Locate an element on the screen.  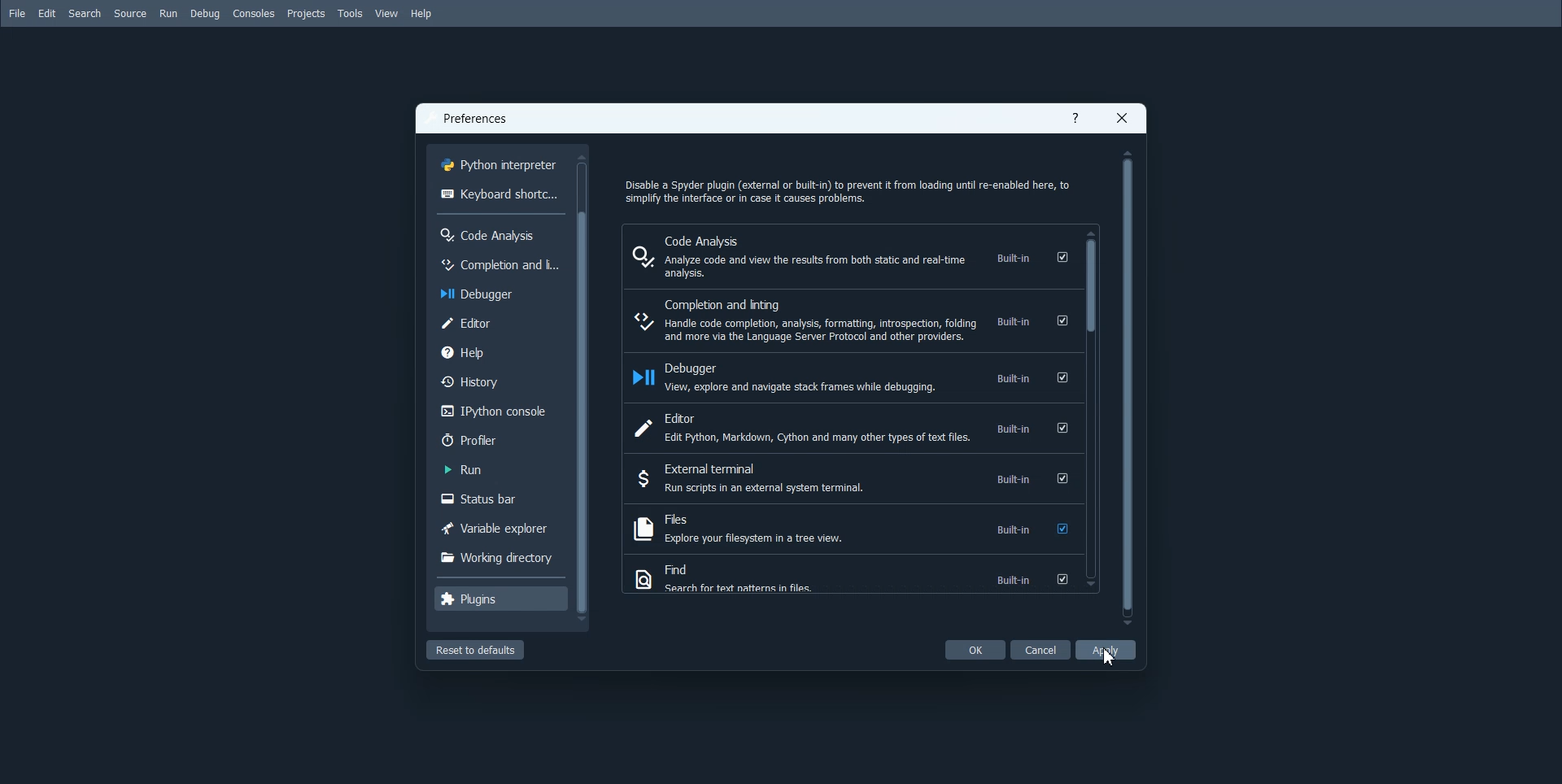
View is located at coordinates (388, 14).